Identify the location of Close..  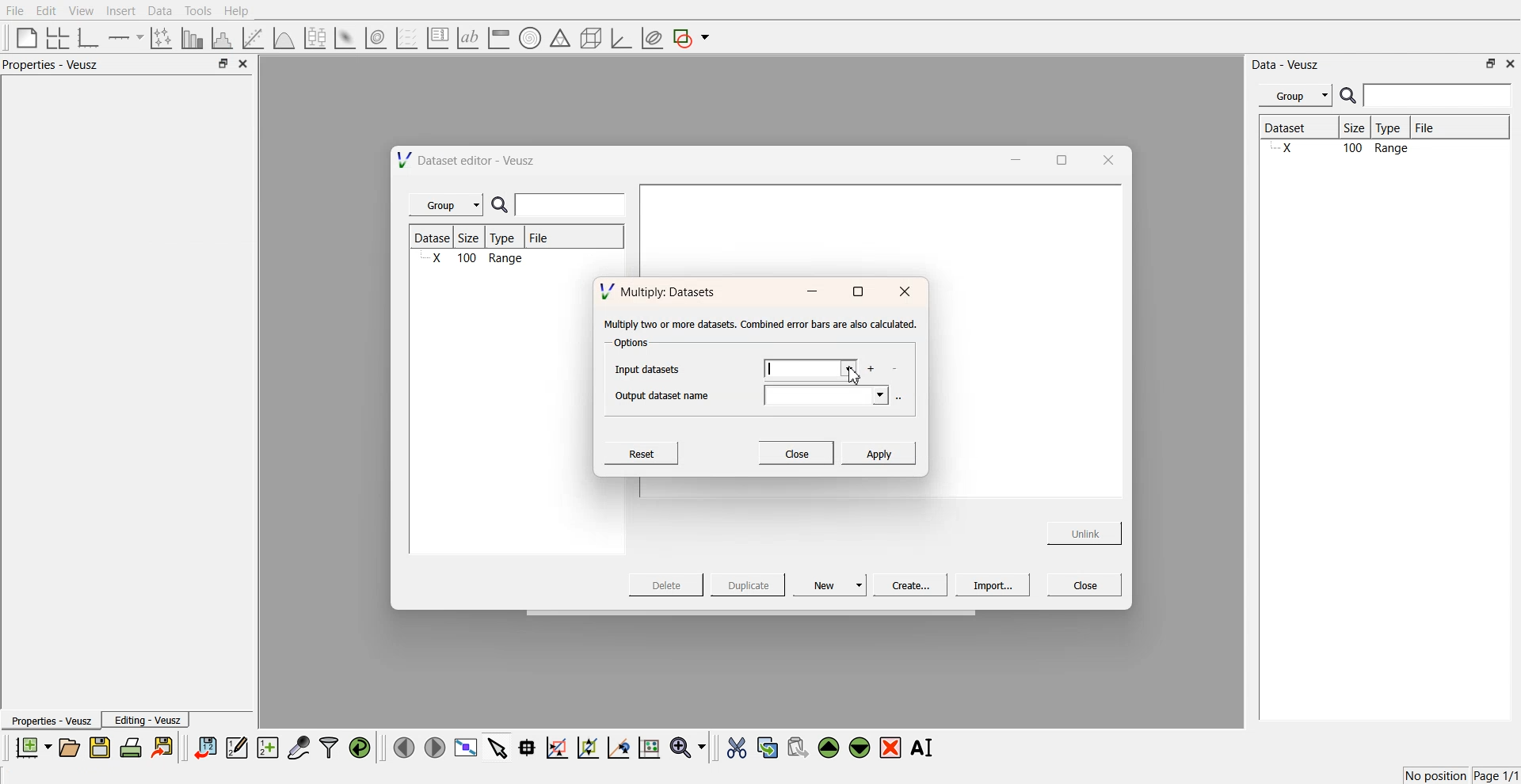
(797, 452).